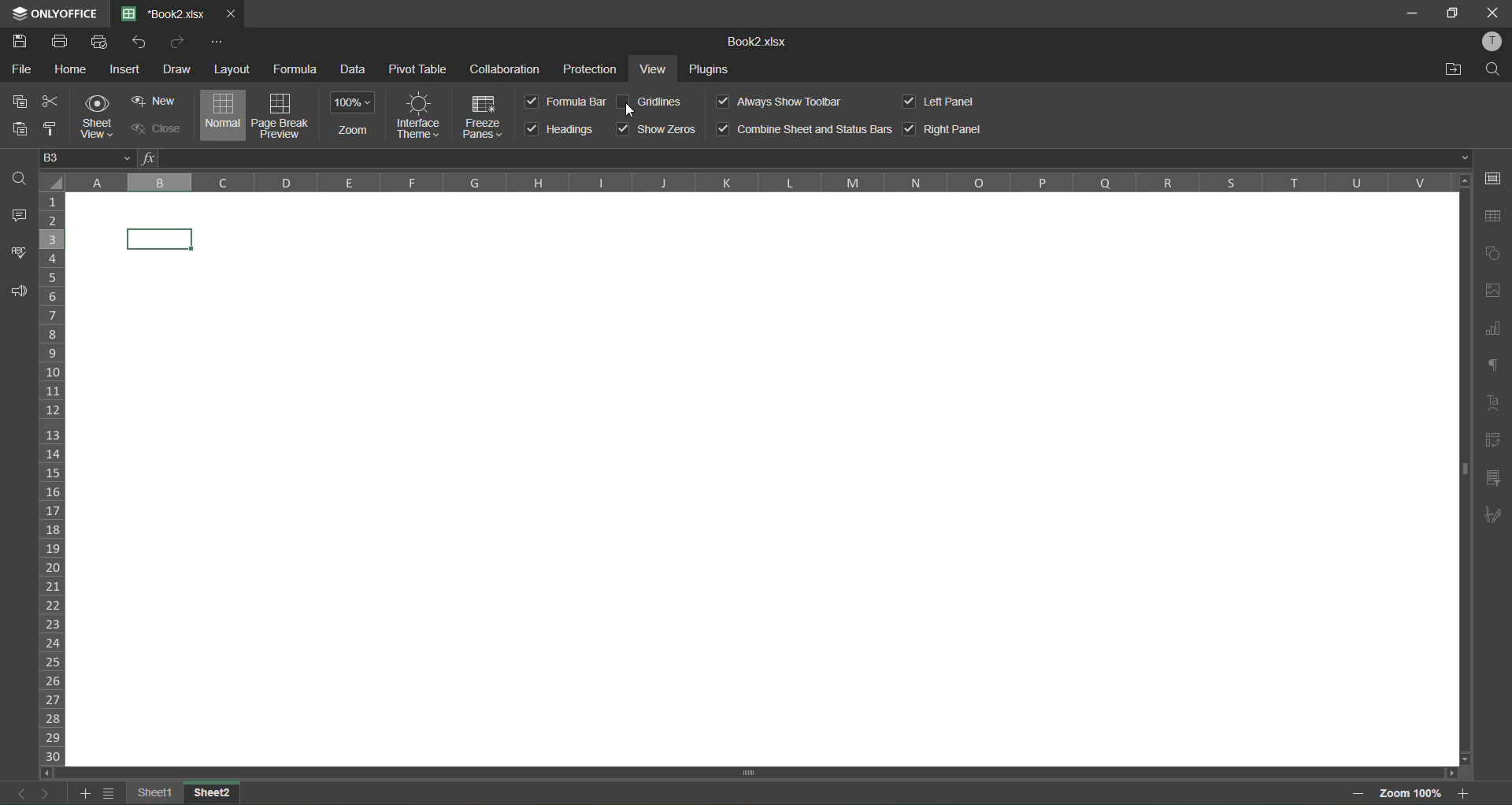 This screenshot has height=805, width=1512. I want to click on find, so click(1497, 69).